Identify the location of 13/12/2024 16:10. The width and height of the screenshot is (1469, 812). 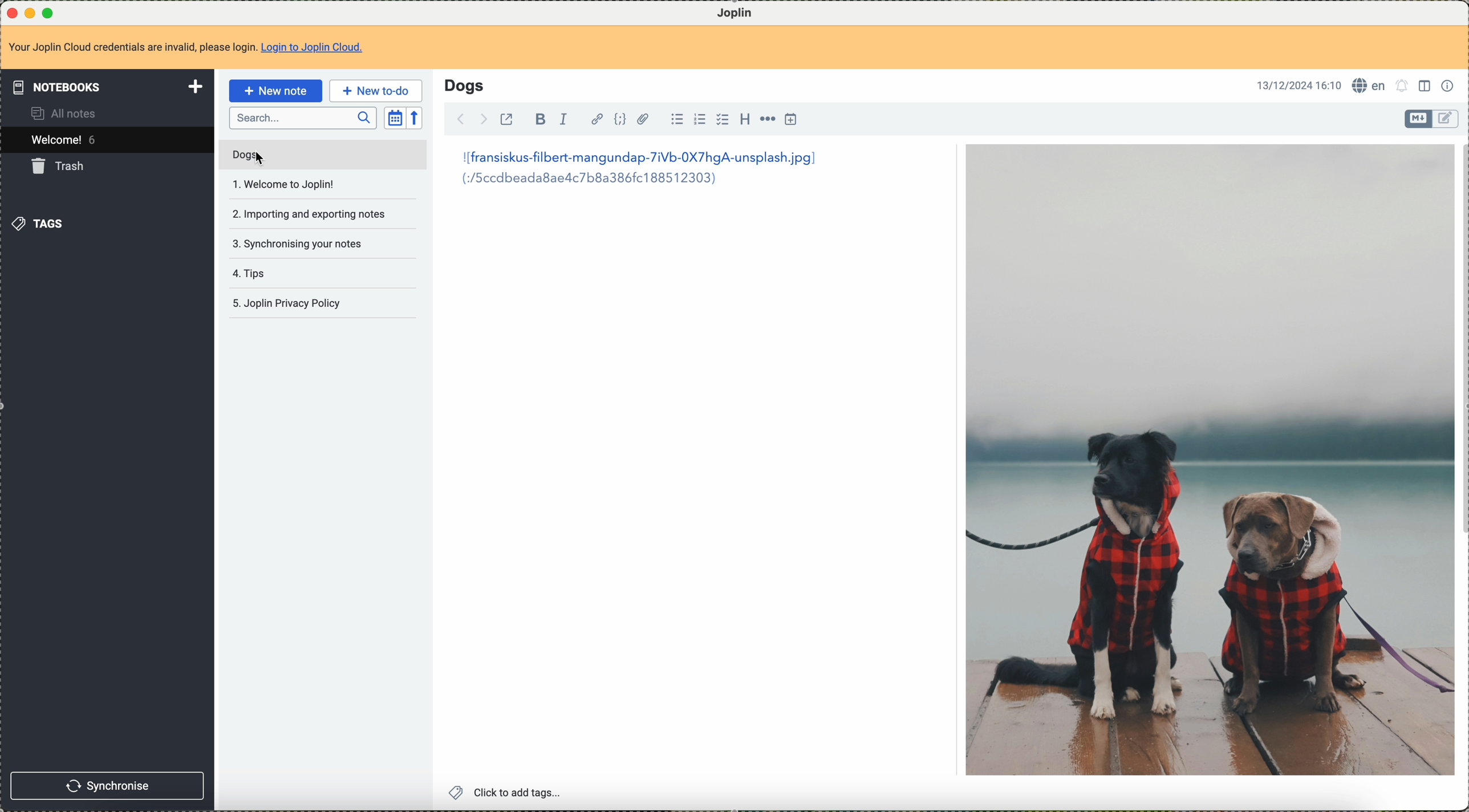
(1295, 85).